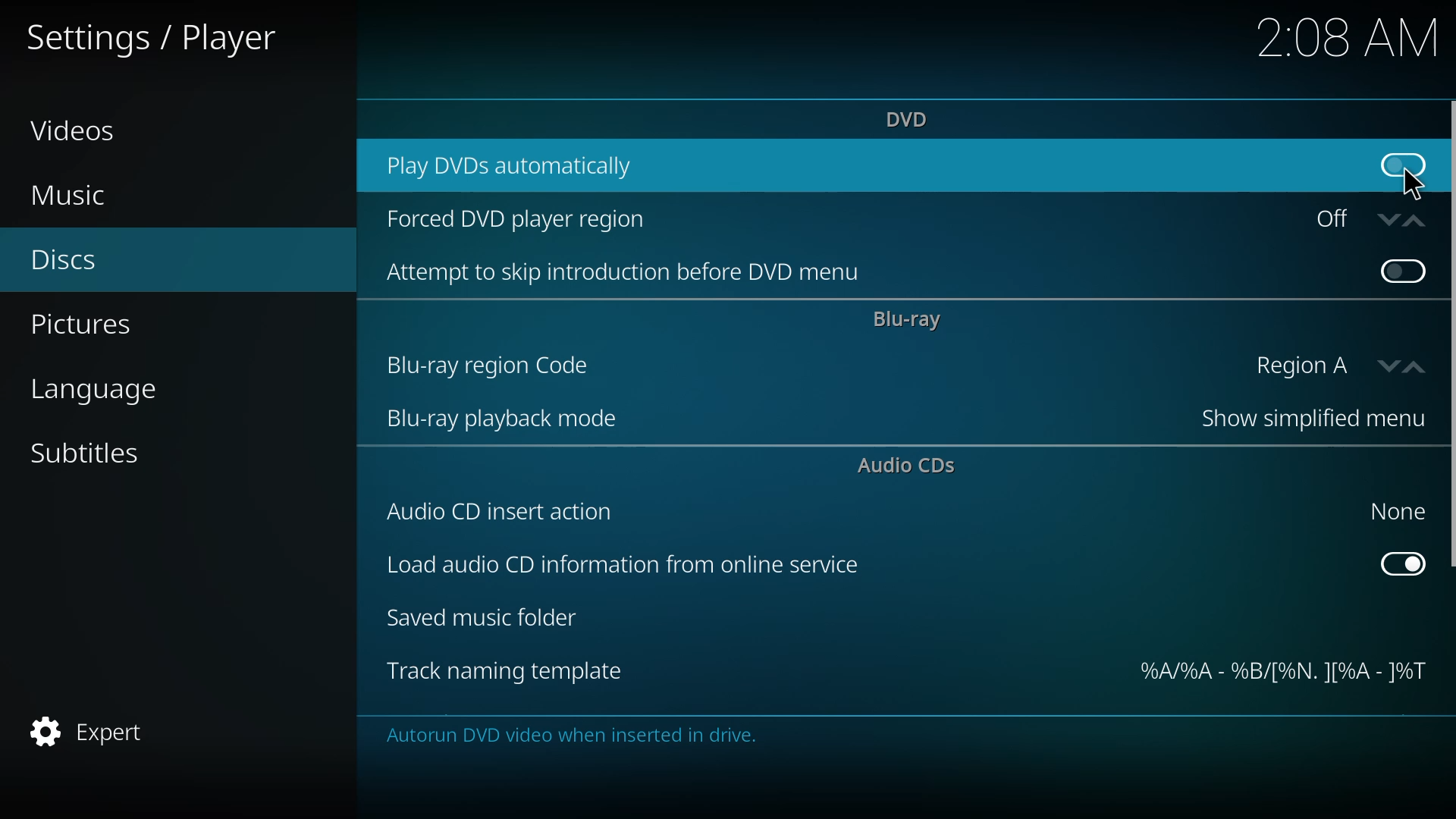 This screenshot has height=819, width=1456. I want to click on forced dvd player region, so click(519, 221).